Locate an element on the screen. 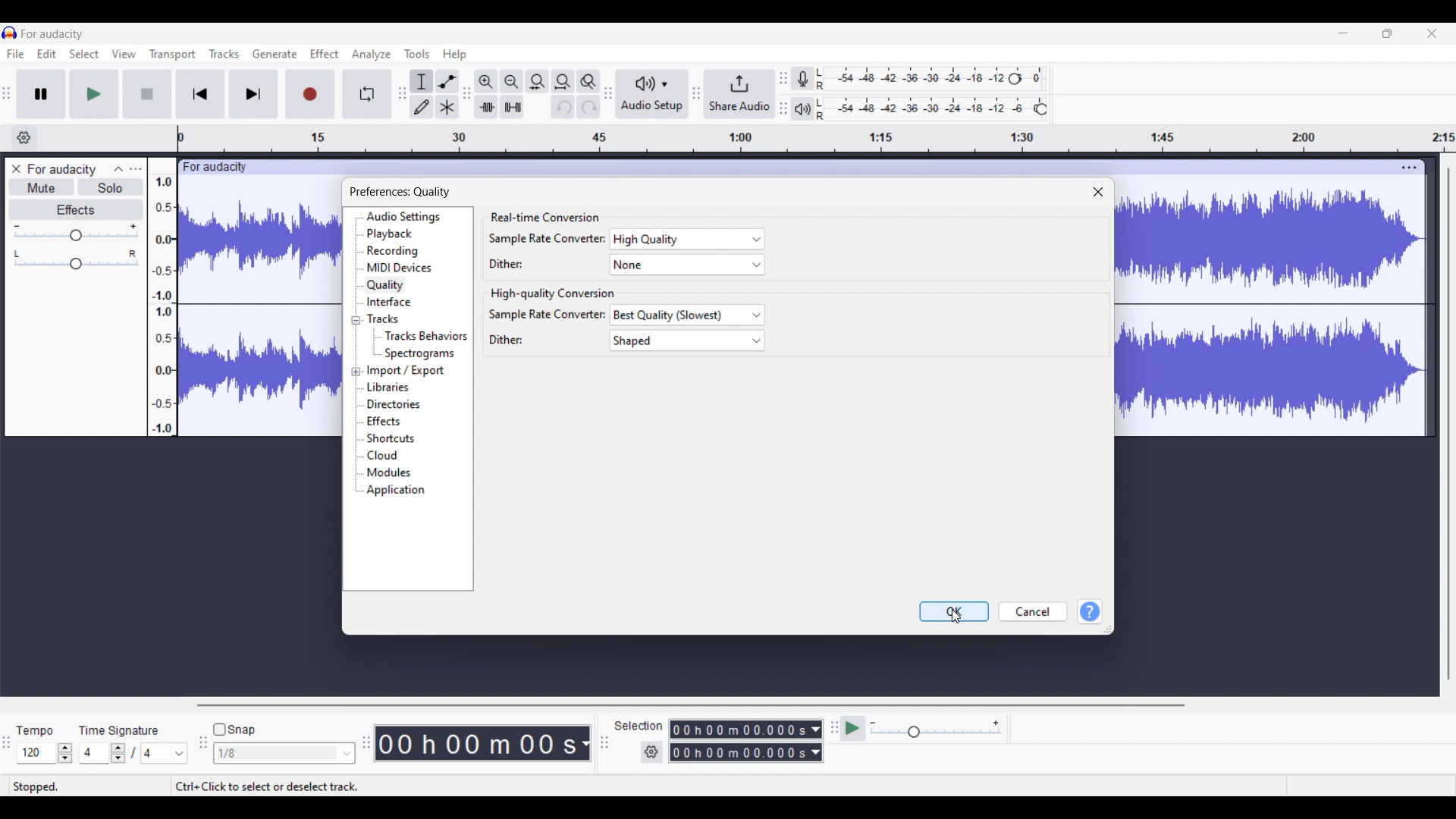 The image size is (1456, 819). dither: is located at coordinates (506, 262).